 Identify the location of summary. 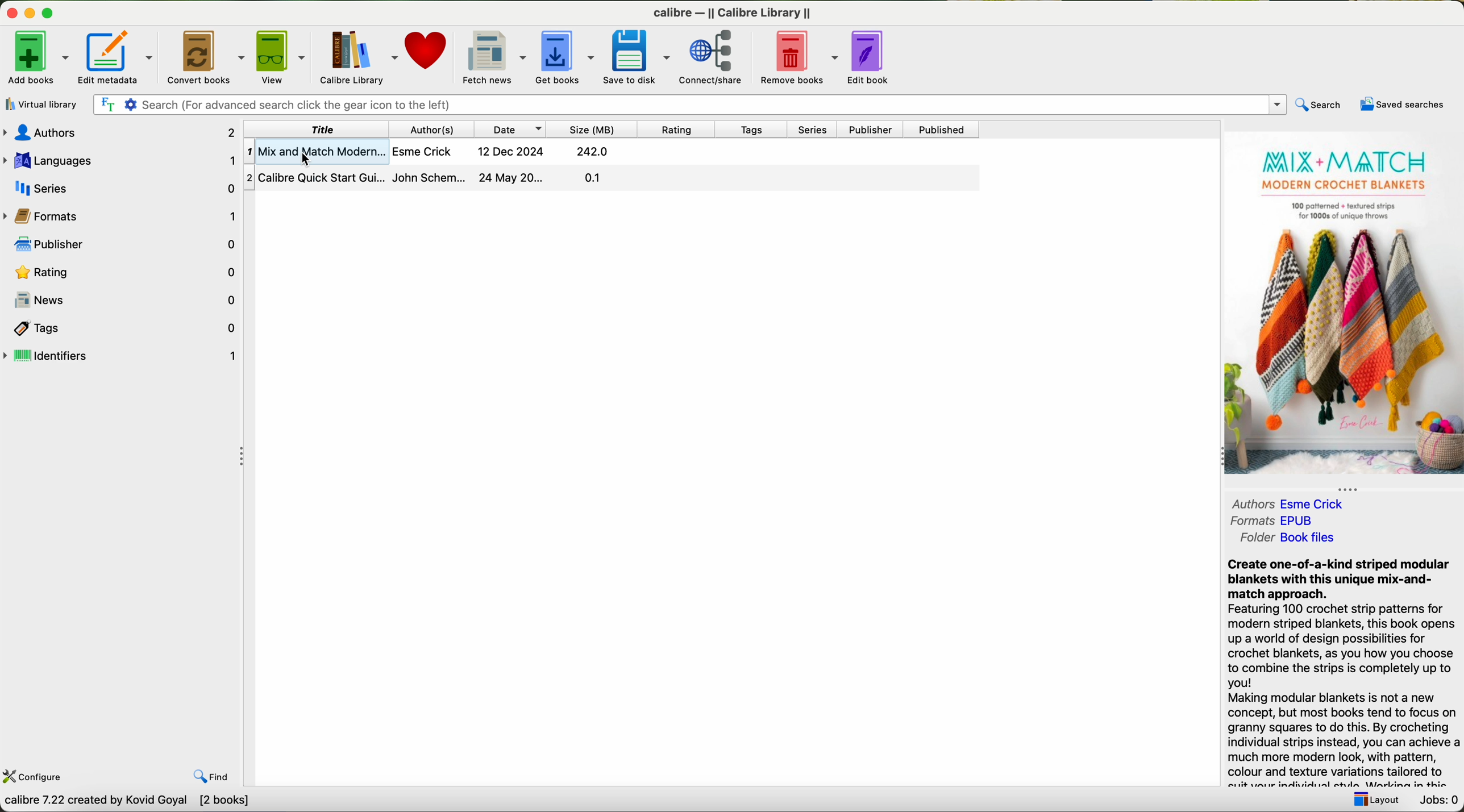
(1342, 672).